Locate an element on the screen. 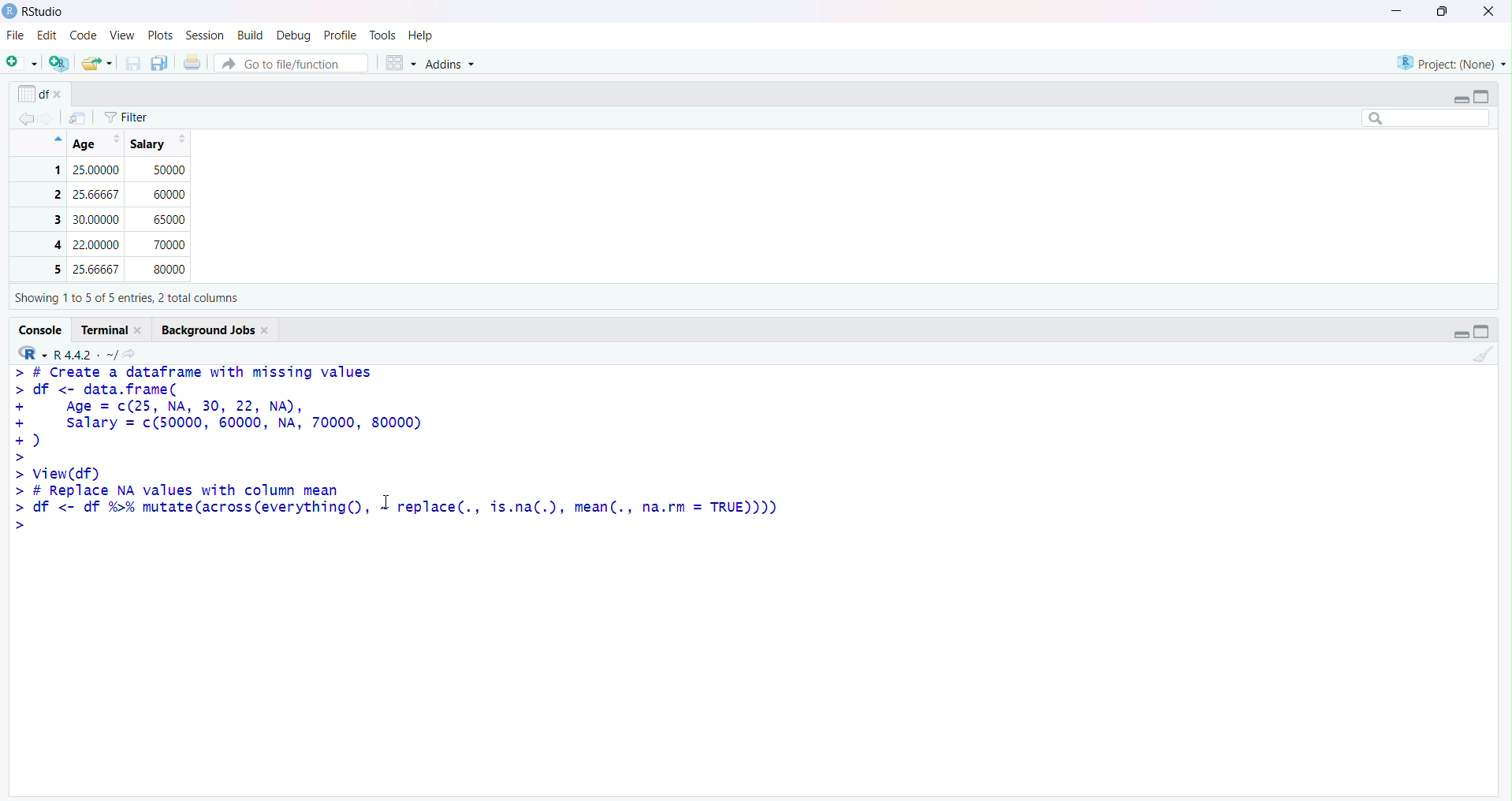  Minimize is located at coordinates (1395, 10).